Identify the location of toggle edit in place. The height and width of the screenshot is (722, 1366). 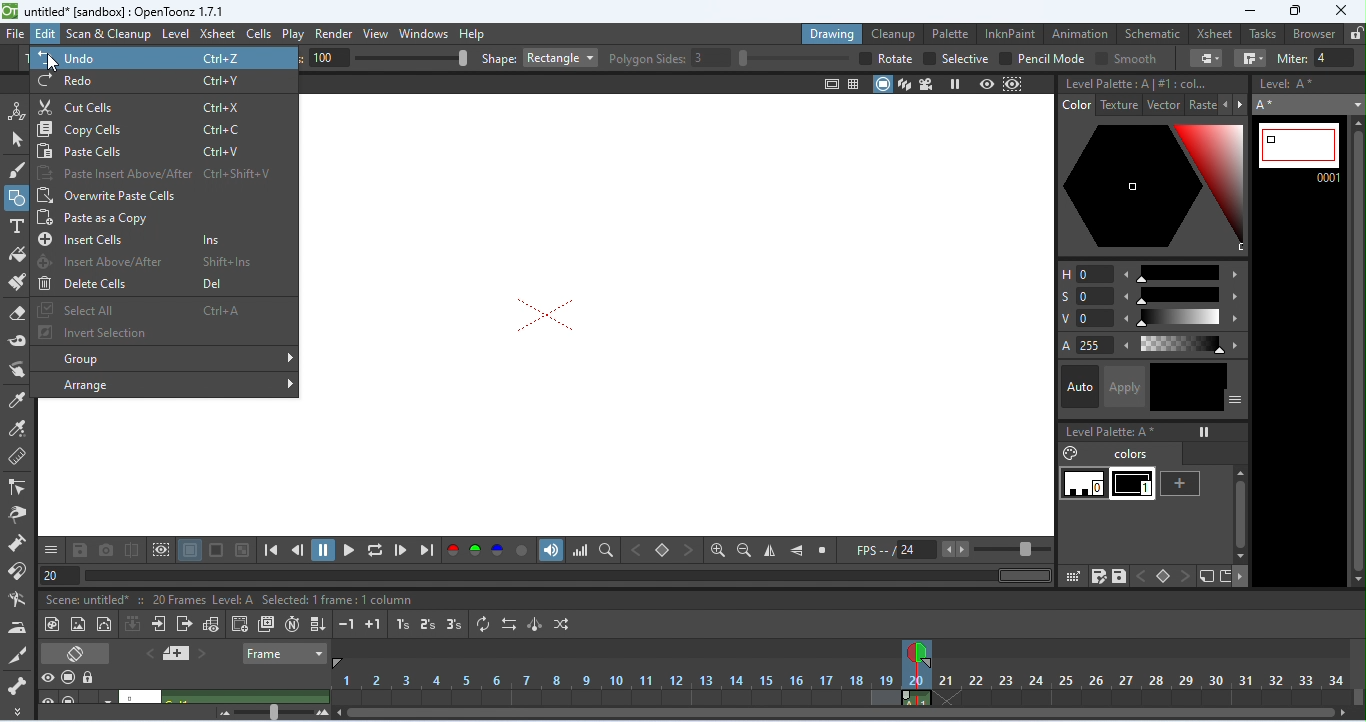
(210, 623).